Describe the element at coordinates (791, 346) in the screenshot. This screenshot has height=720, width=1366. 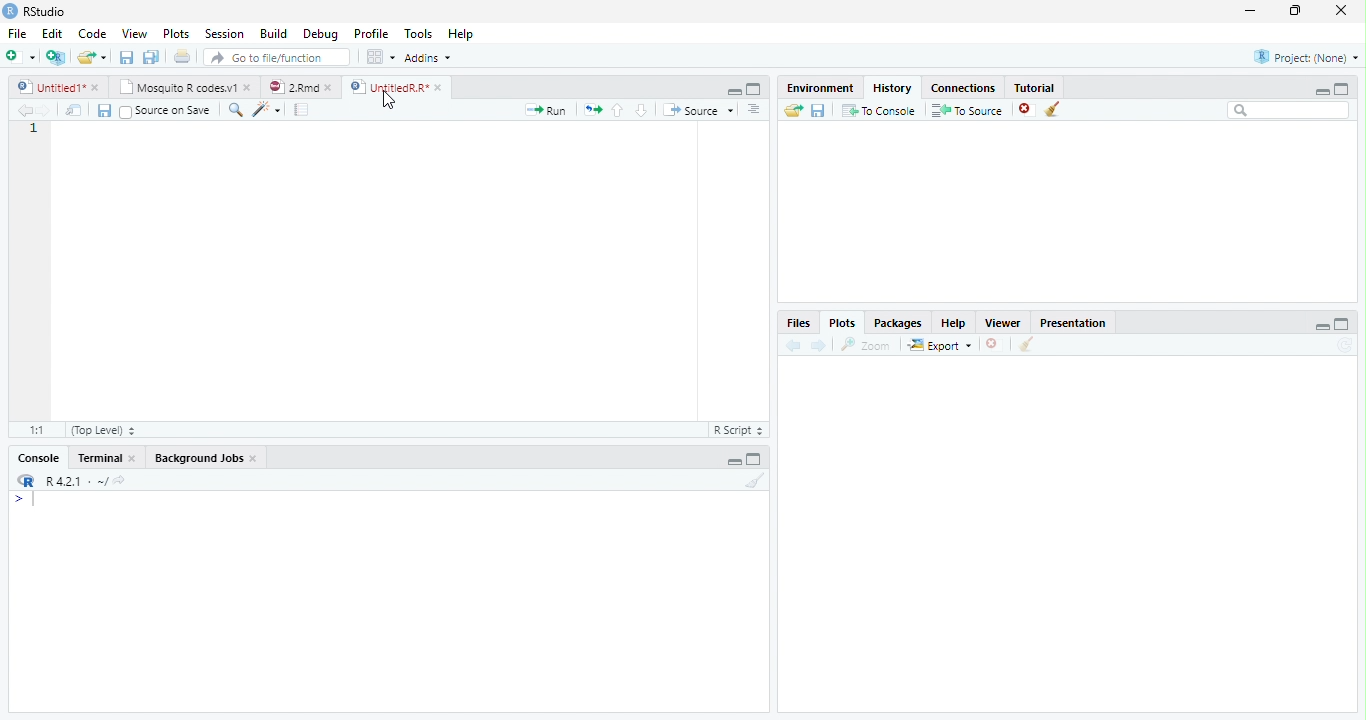
I see `Back` at that location.